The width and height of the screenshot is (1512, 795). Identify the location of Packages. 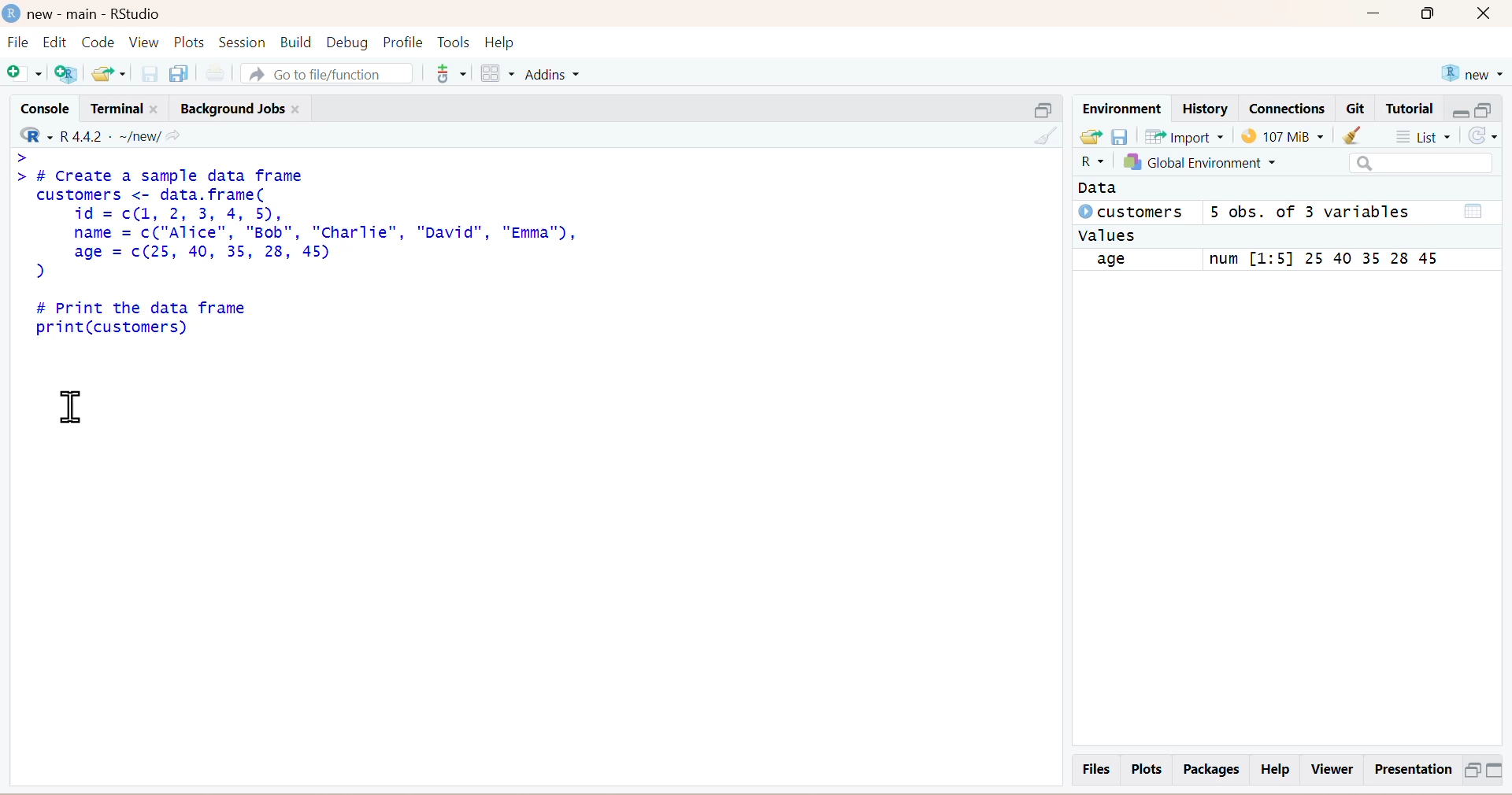
(1209, 769).